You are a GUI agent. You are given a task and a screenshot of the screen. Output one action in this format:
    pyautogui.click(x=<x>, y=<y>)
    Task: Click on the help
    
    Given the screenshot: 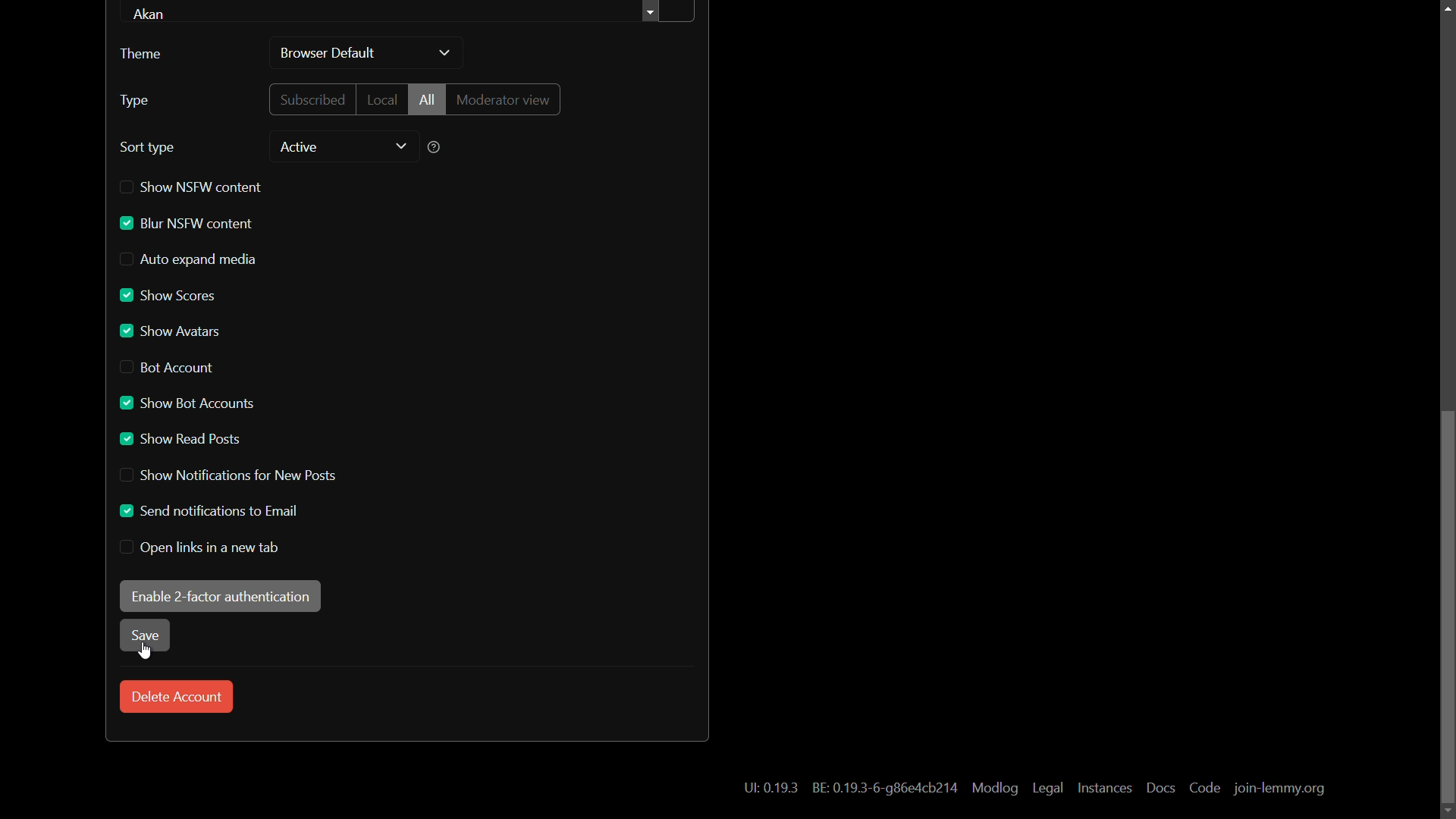 What is the action you would take?
    pyautogui.click(x=435, y=147)
    